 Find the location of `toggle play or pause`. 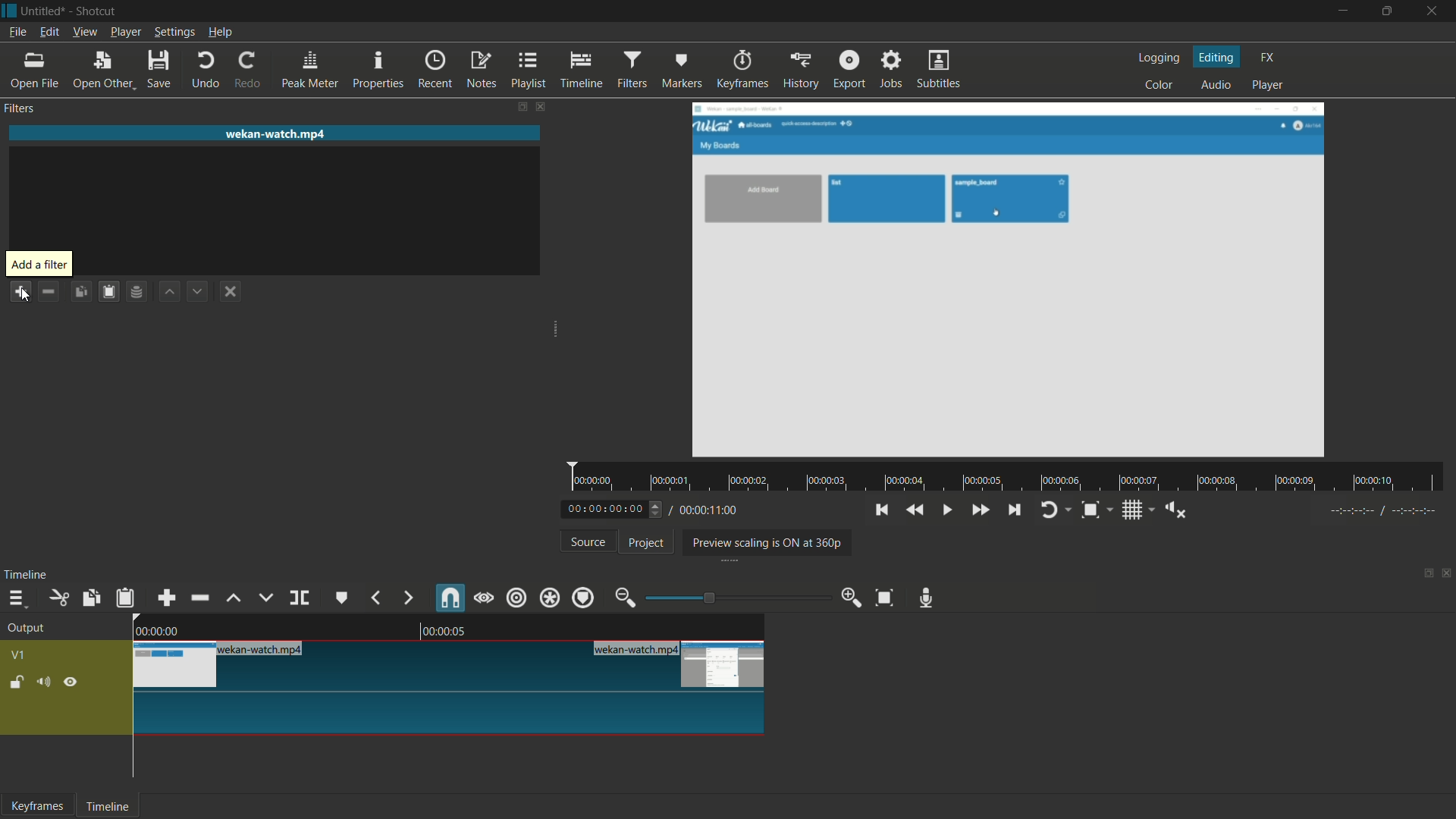

toggle play or pause is located at coordinates (947, 510).